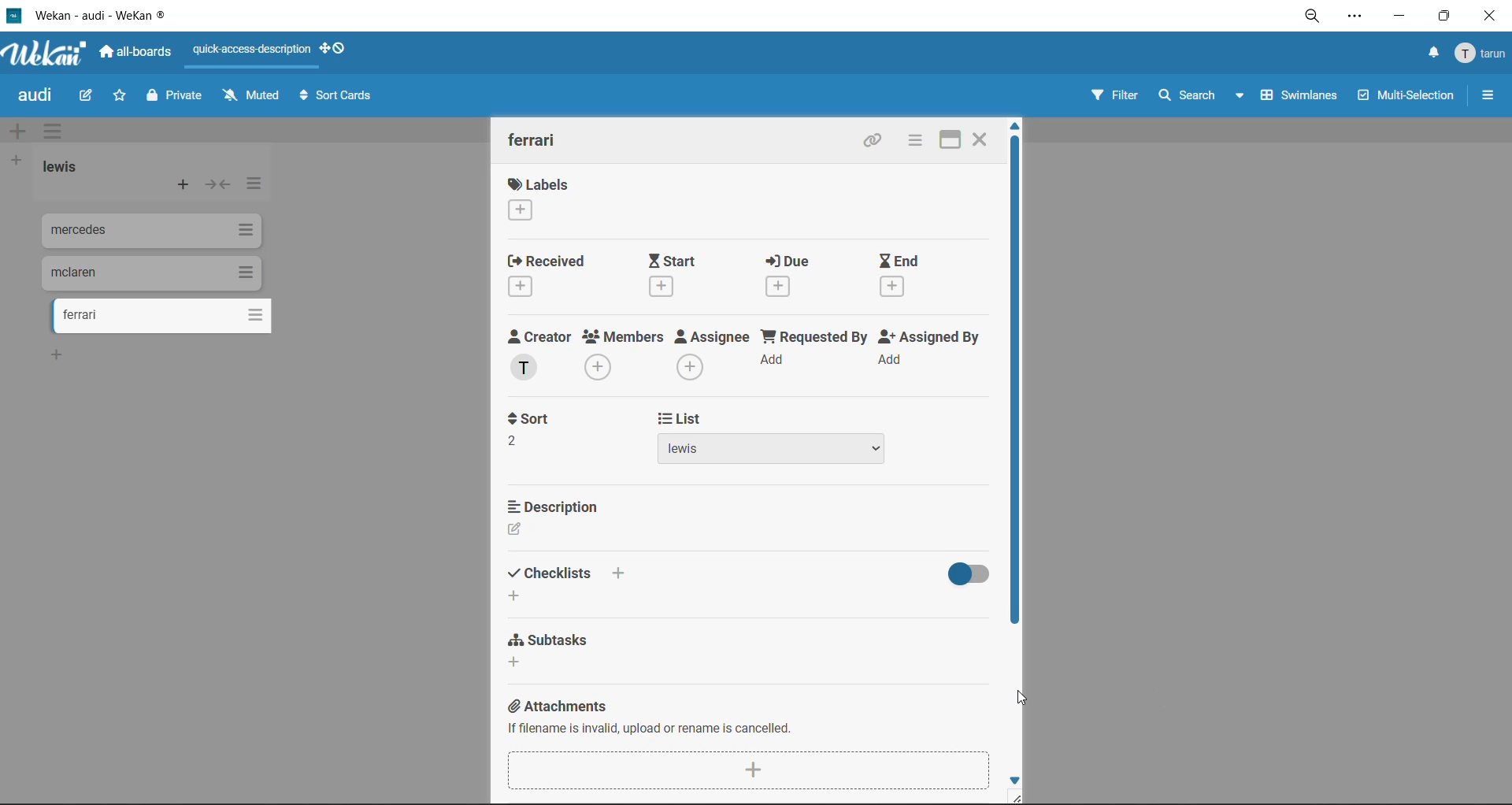  What do you see at coordinates (169, 317) in the screenshot?
I see `cards` at bounding box center [169, 317].